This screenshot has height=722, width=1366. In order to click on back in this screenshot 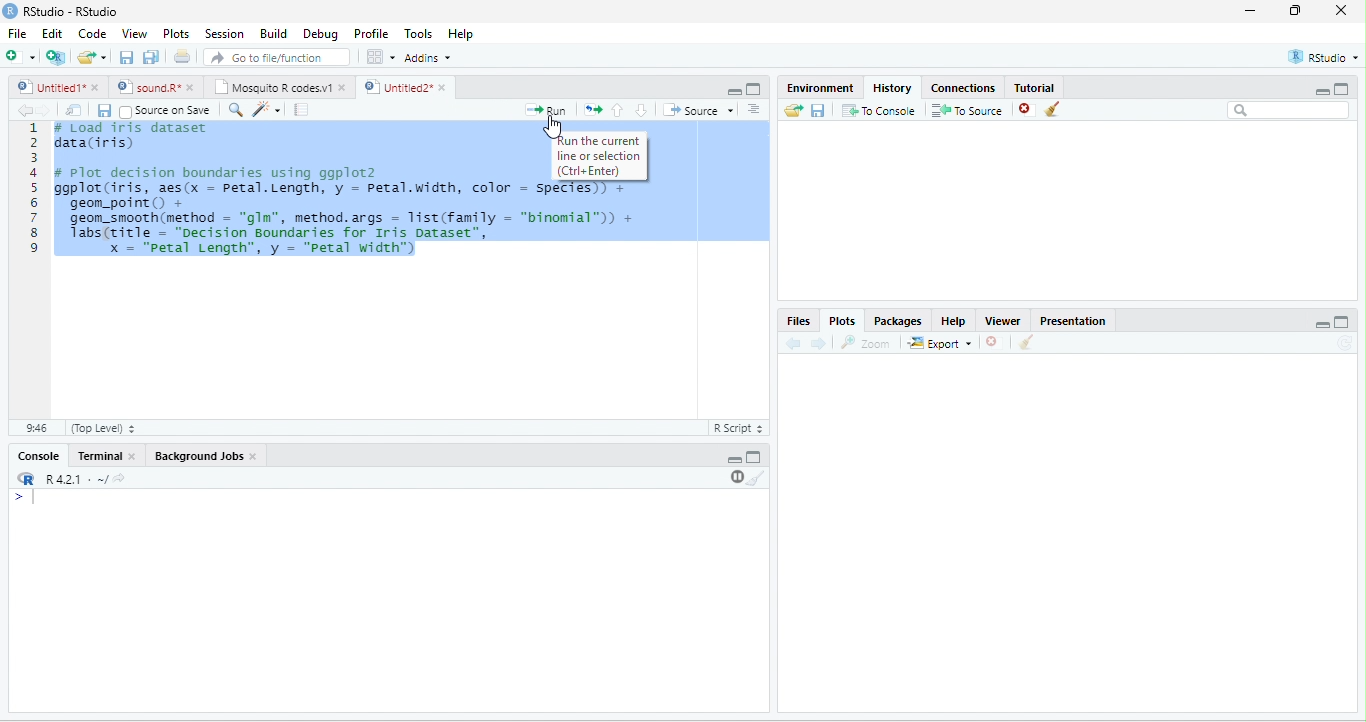, I will do `click(25, 111)`.